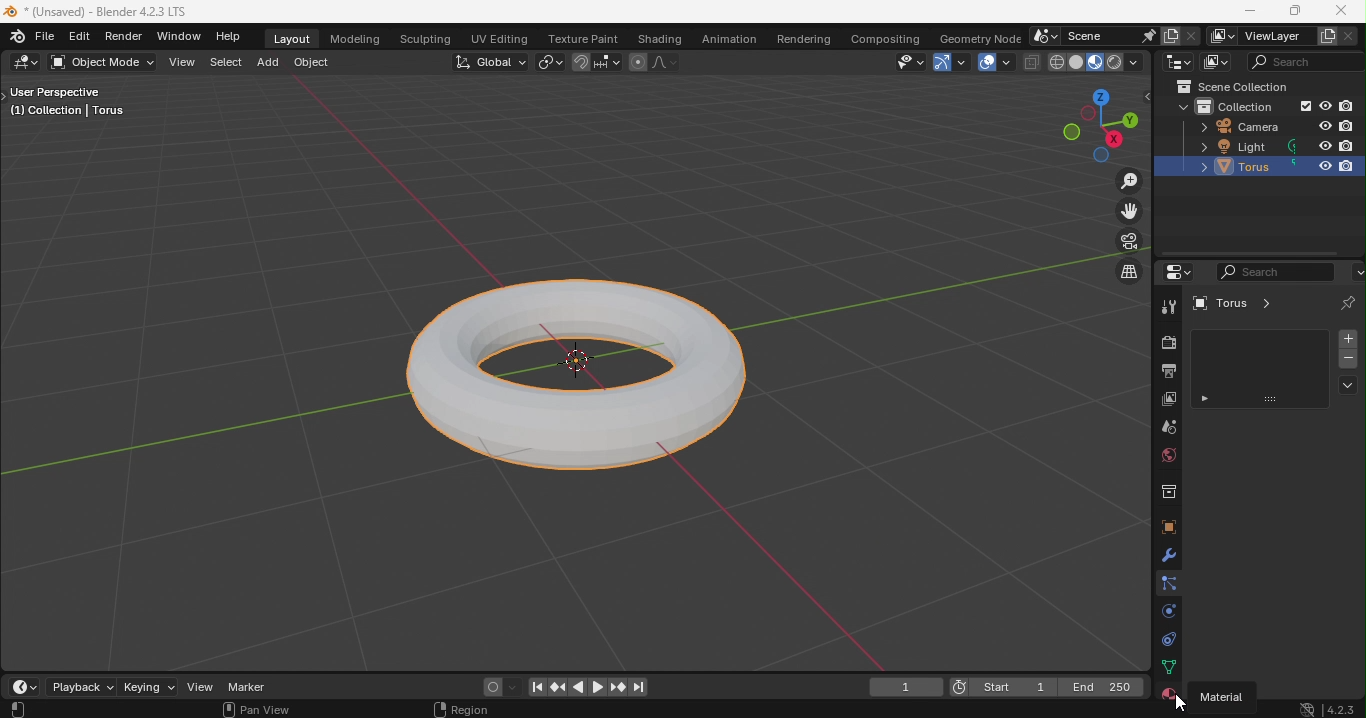  Describe the element at coordinates (312, 63) in the screenshot. I see `Object` at that location.